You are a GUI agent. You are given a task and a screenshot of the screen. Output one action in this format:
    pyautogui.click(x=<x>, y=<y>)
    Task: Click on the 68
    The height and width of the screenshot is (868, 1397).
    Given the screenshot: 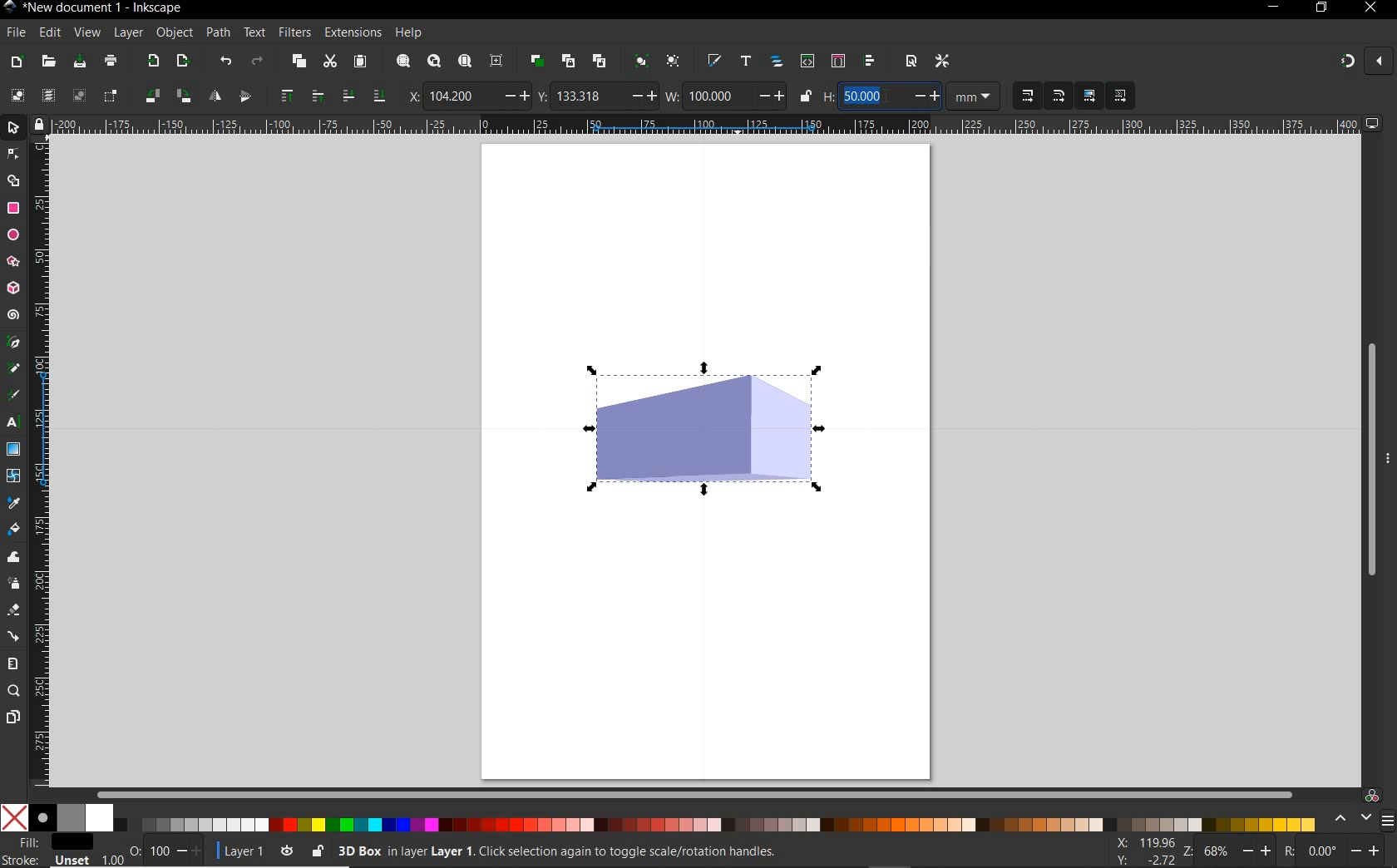 What is the action you would take?
    pyautogui.click(x=1218, y=853)
    